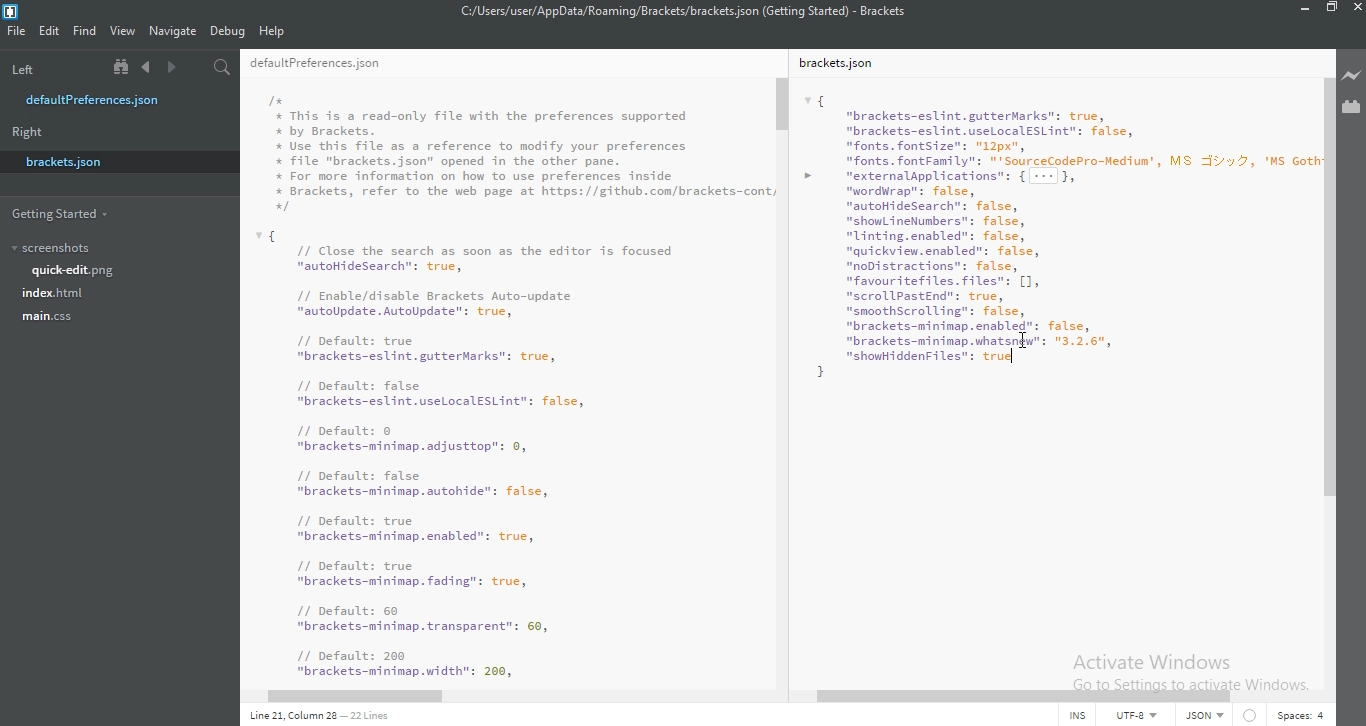  Describe the element at coordinates (1330, 11) in the screenshot. I see `restore` at that location.